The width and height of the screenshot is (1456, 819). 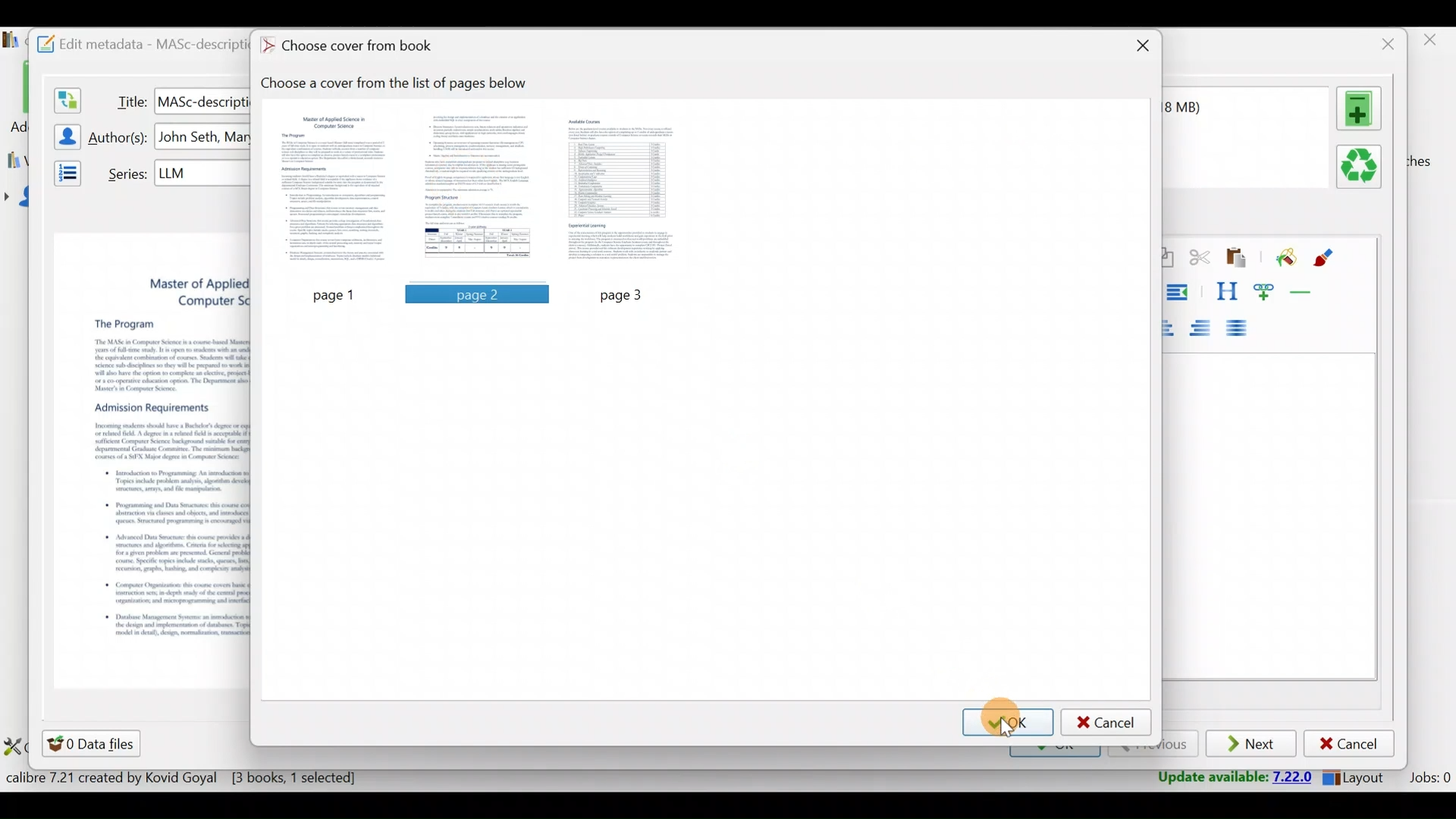 What do you see at coordinates (124, 172) in the screenshot?
I see `Series` at bounding box center [124, 172].